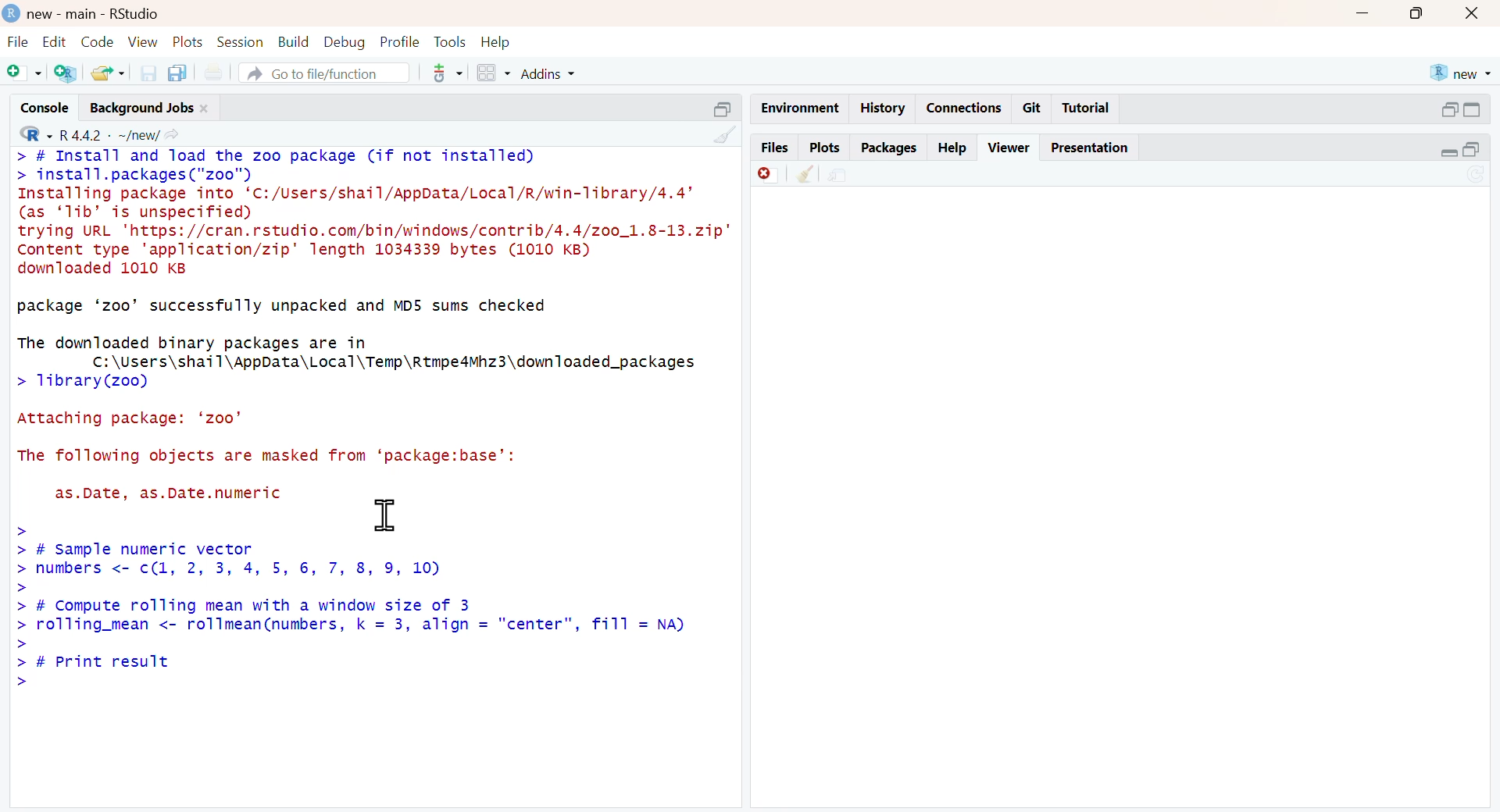 The width and height of the screenshot is (1500, 812). What do you see at coordinates (768, 175) in the screenshot?
I see `delete file` at bounding box center [768, 175].